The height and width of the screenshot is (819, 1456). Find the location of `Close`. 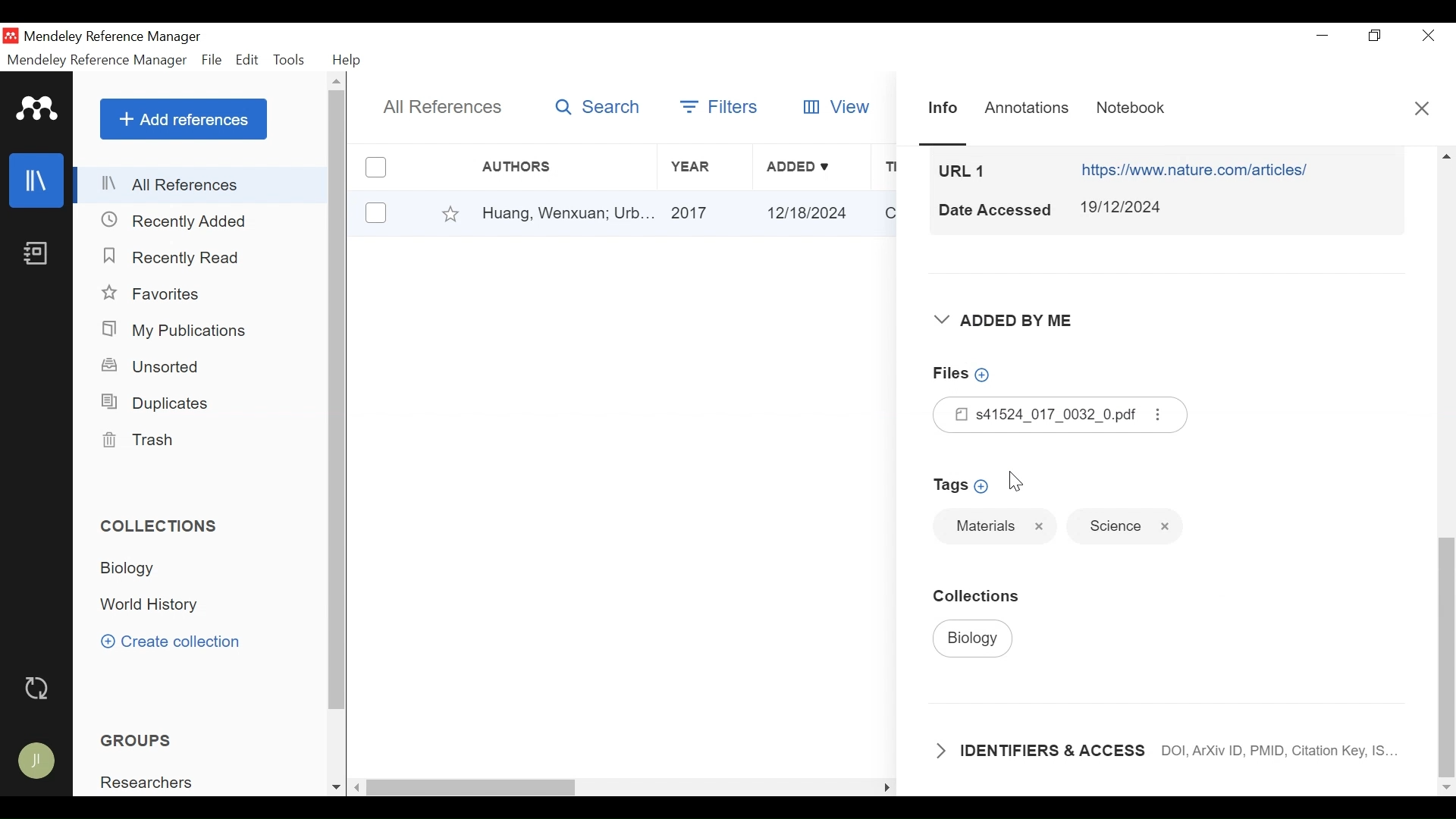

Close is located at coordinates (1420, 107).